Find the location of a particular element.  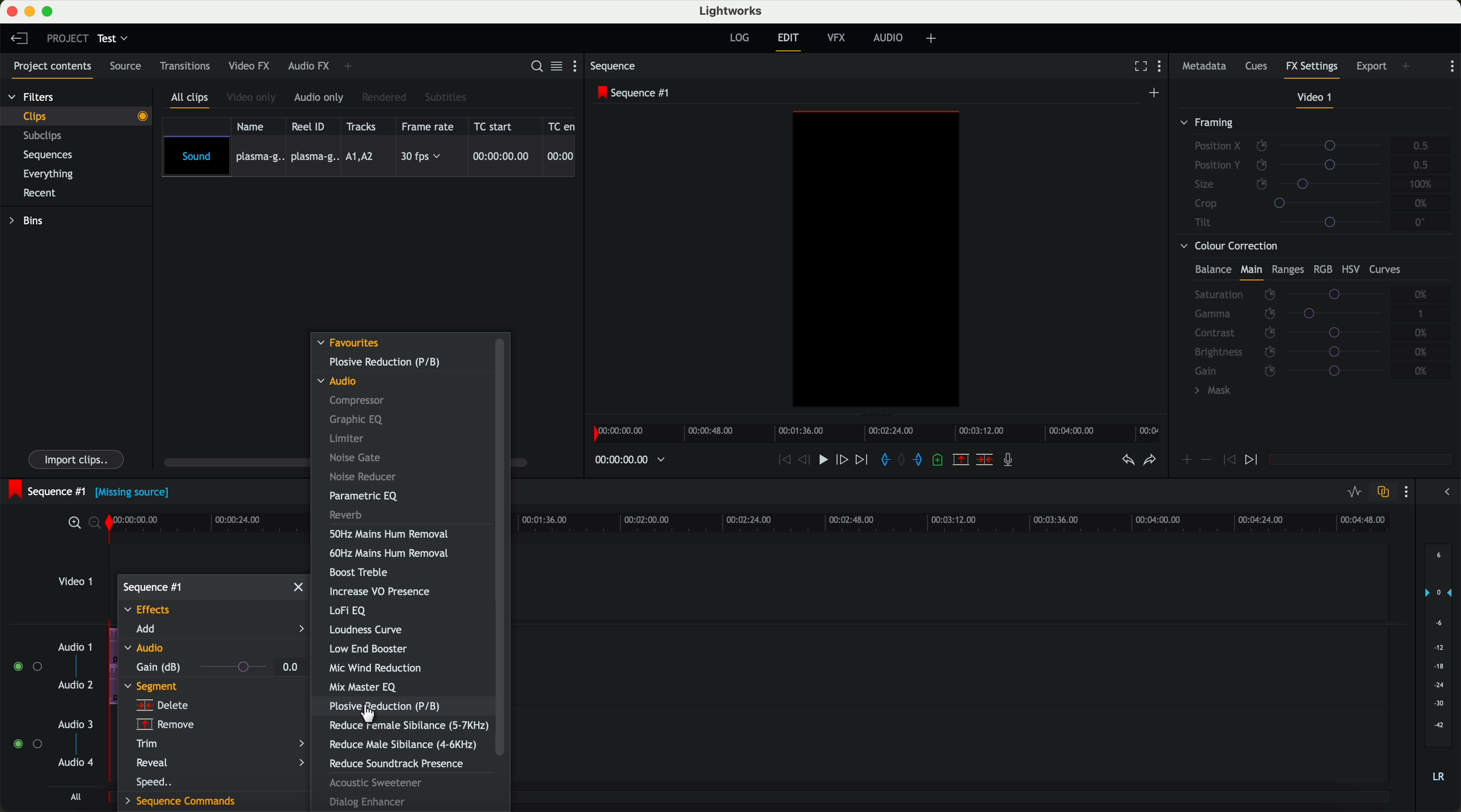

reverb is located at coordinates (347, 515).